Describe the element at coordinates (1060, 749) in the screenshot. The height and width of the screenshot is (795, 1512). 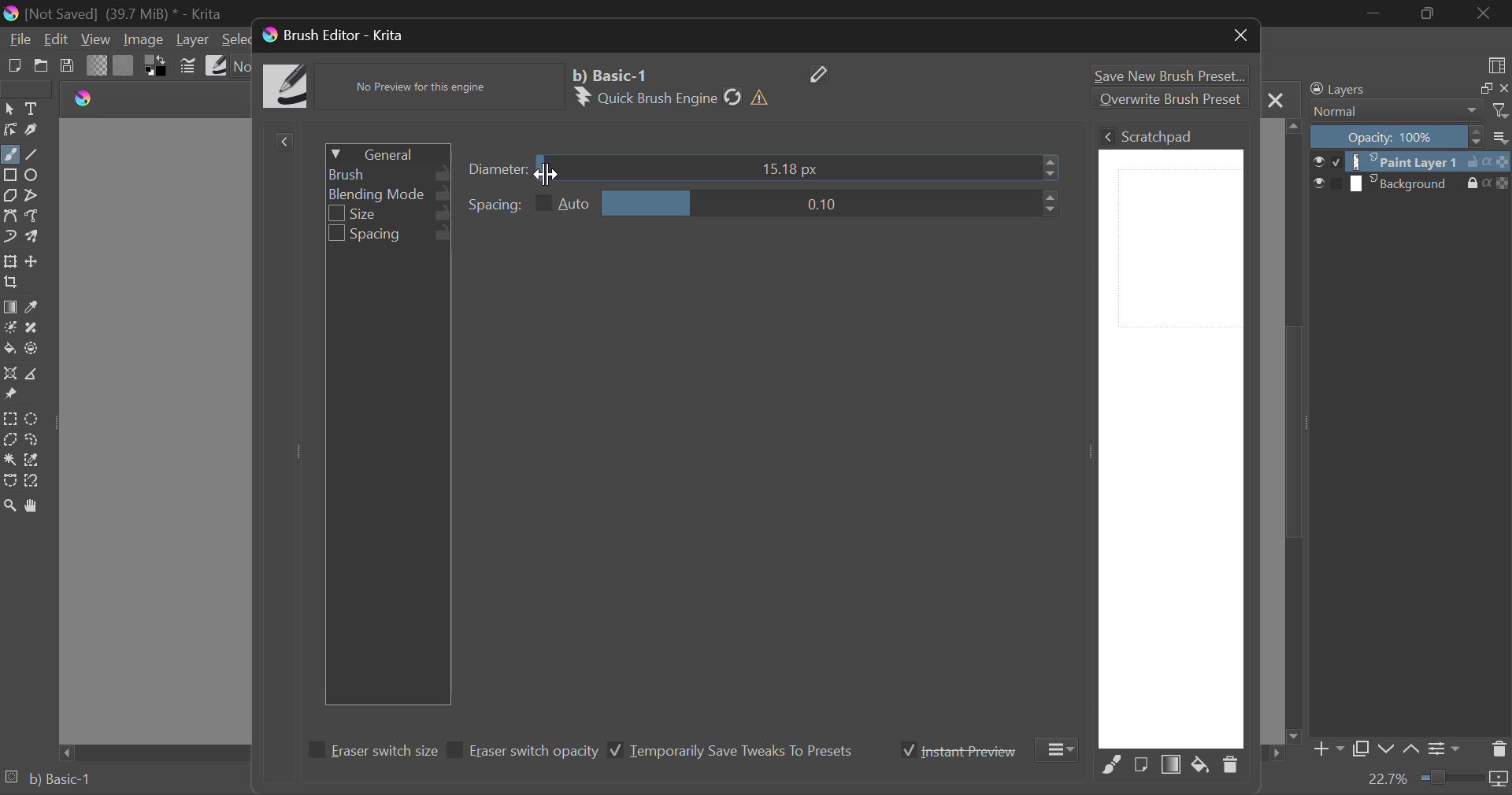
I see `More Options` at that location.